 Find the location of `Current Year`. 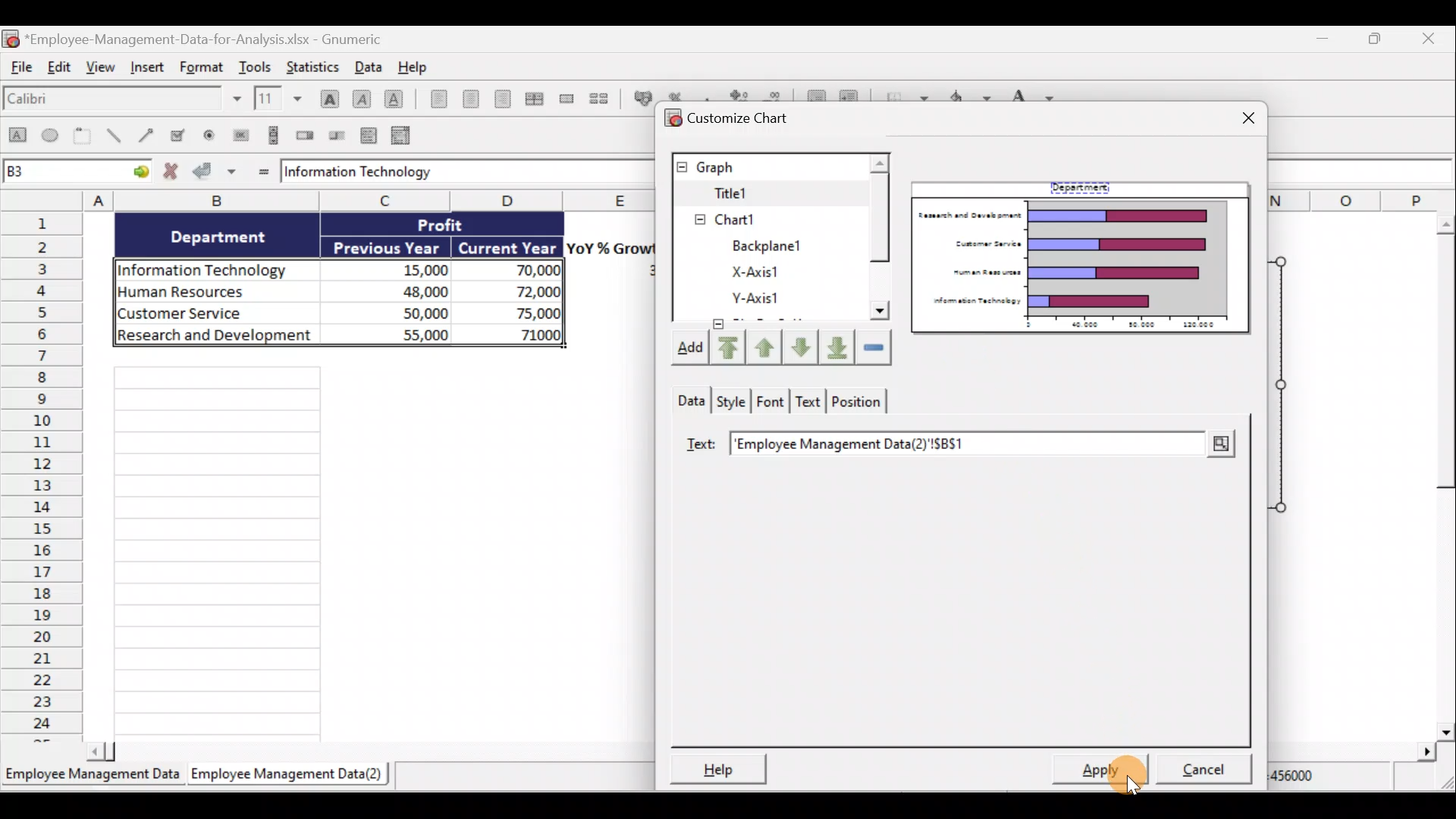

Current Year is located at coordinates (508, 246).